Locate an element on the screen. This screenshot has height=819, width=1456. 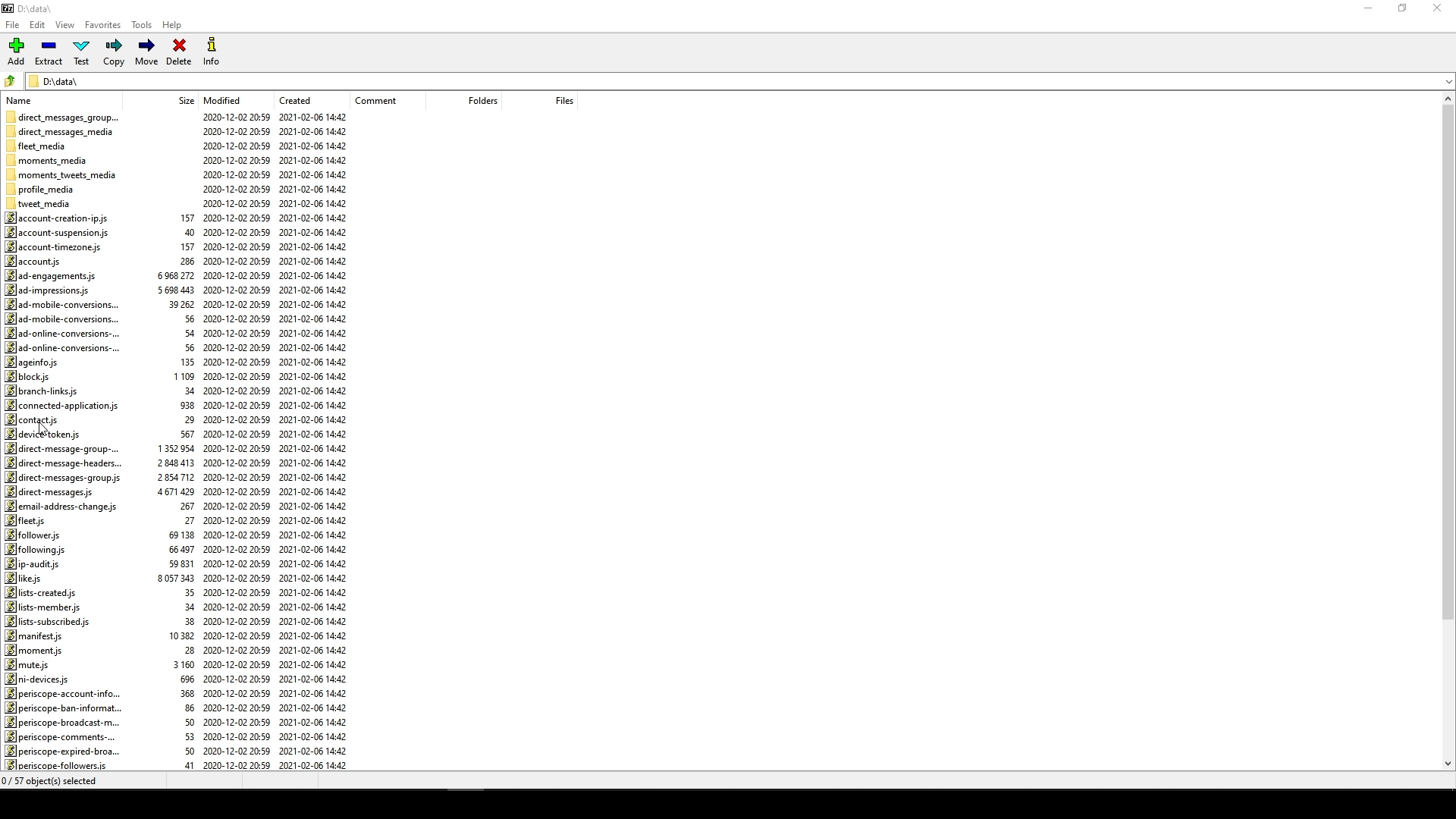
Favorites is located at coordinates (103, 27).